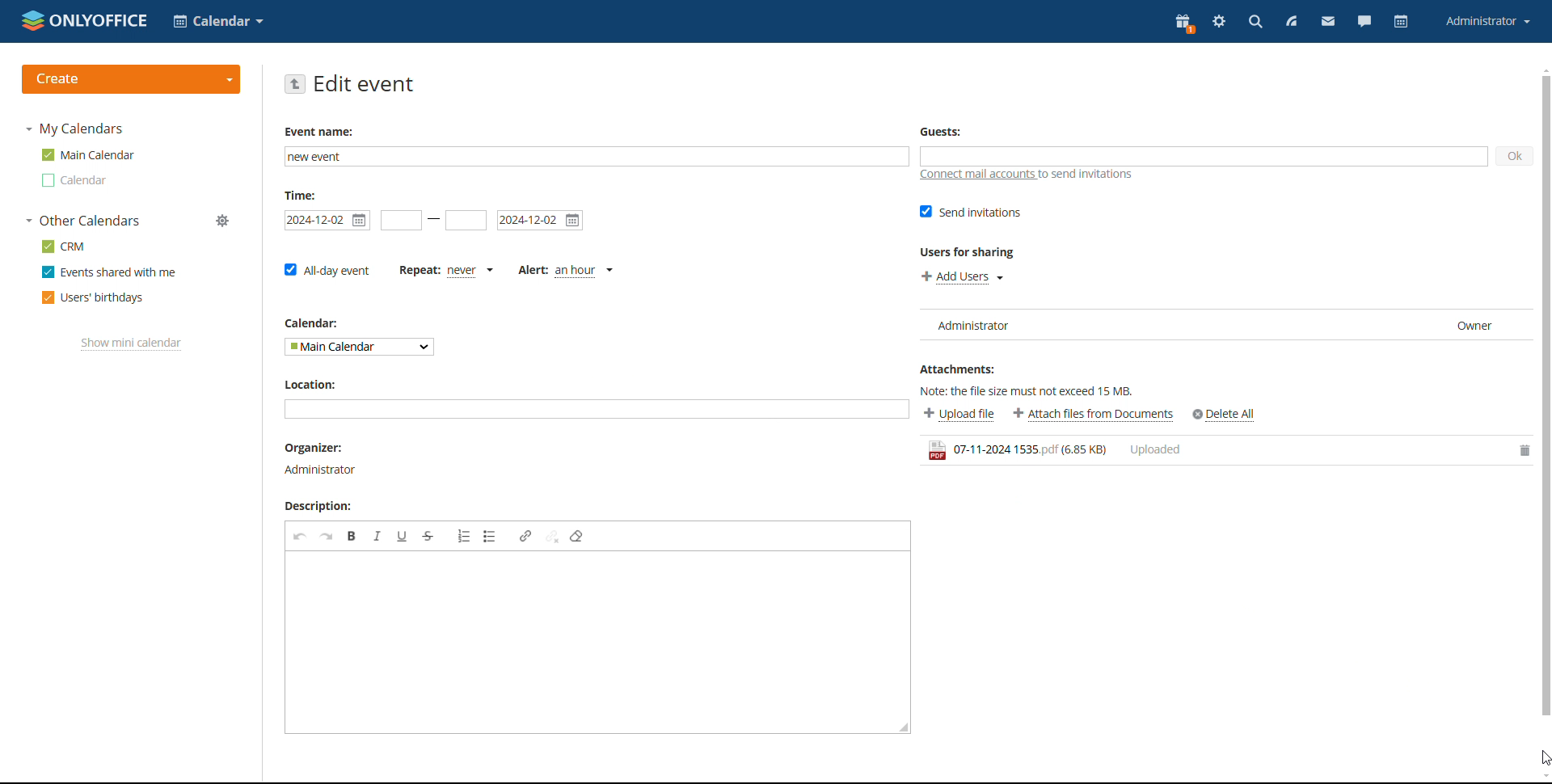  I want to click on calendar, so click(312, 323).